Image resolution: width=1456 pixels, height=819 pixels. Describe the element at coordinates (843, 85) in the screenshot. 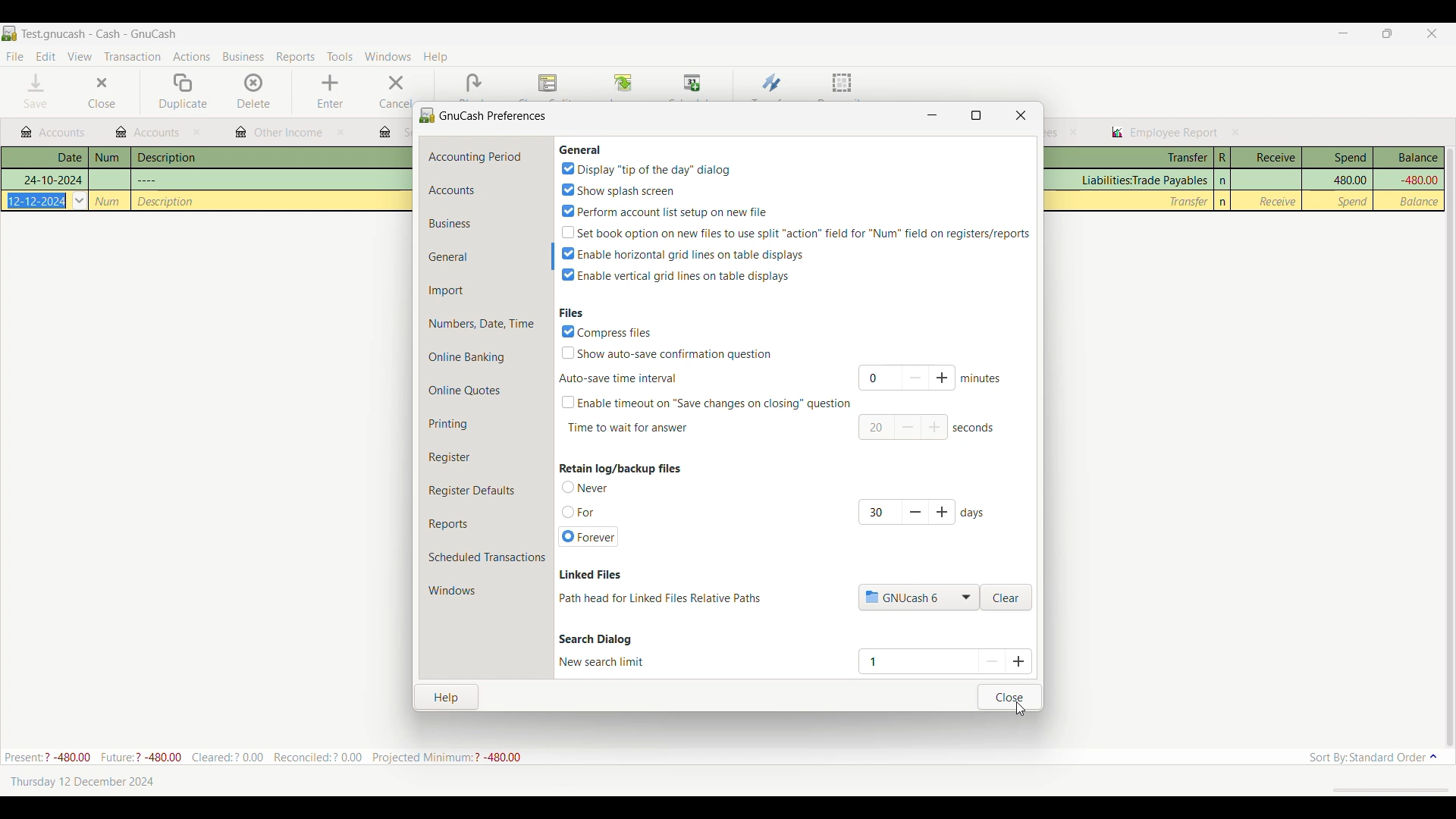

I see `Reconcile` at that location.